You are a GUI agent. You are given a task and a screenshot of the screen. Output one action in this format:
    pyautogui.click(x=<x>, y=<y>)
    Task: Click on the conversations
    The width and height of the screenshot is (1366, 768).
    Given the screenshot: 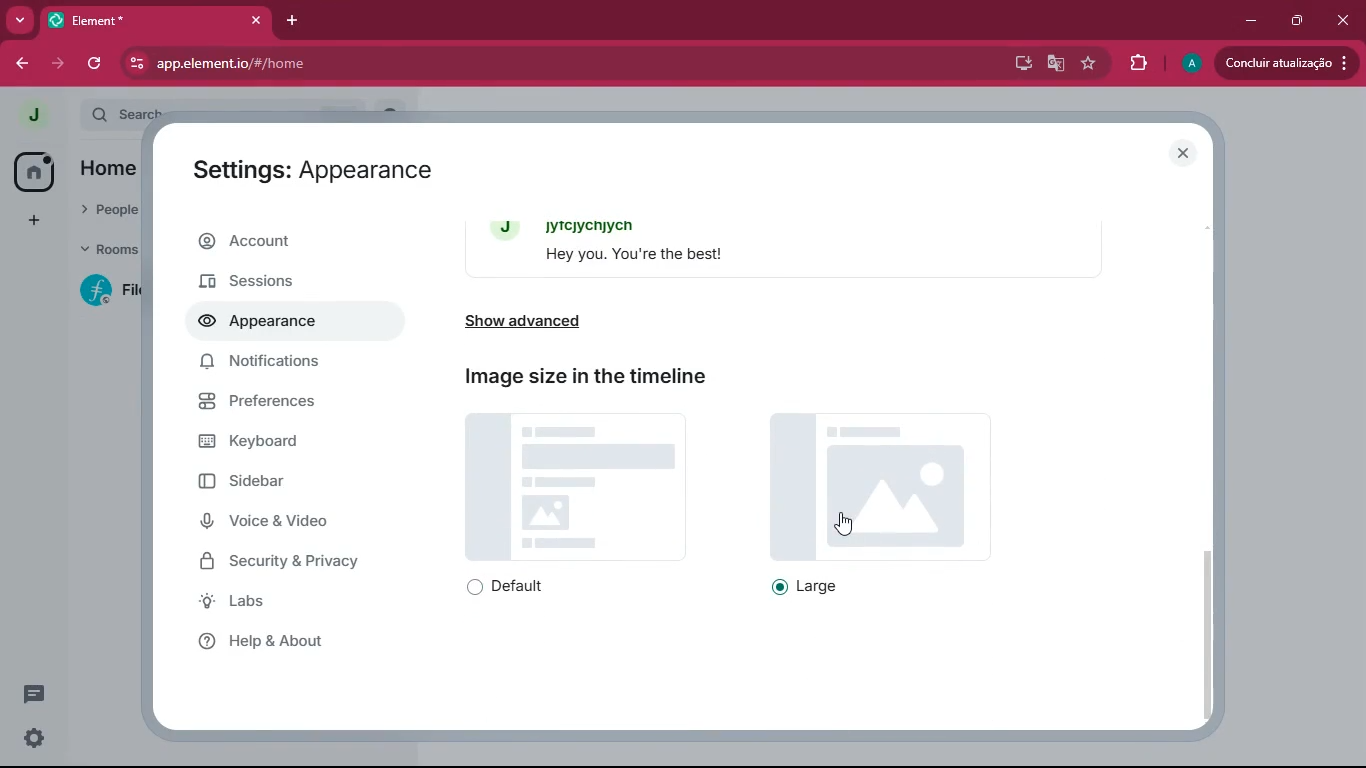 What is the action you would take?
    pyautogui.click(x=26, y=692)
    